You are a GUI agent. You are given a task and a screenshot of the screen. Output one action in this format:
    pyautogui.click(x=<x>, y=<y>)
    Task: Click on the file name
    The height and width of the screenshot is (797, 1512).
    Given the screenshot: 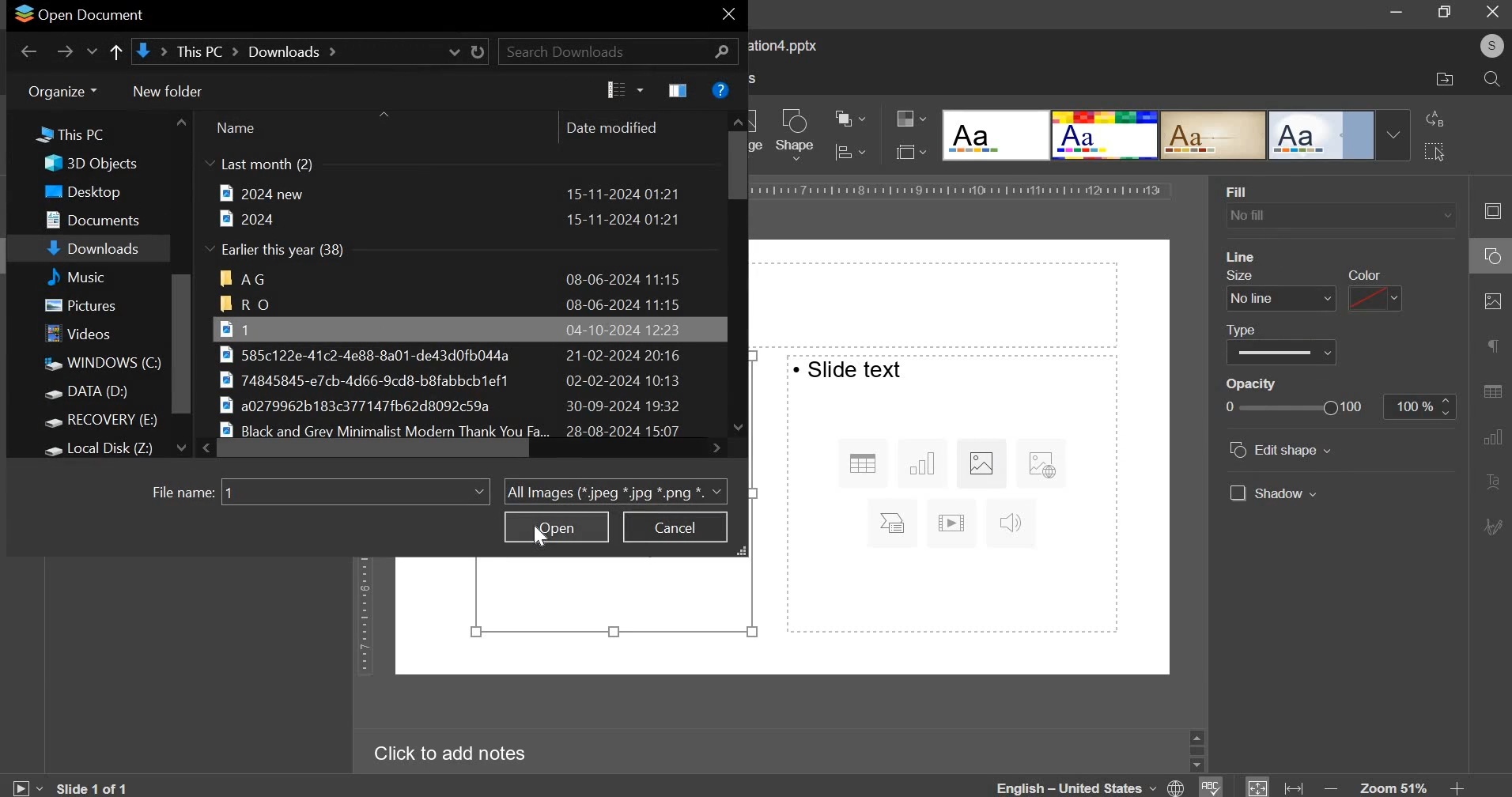 What is the action you would take?
    pyautogui.click(x=183, y=494)
    